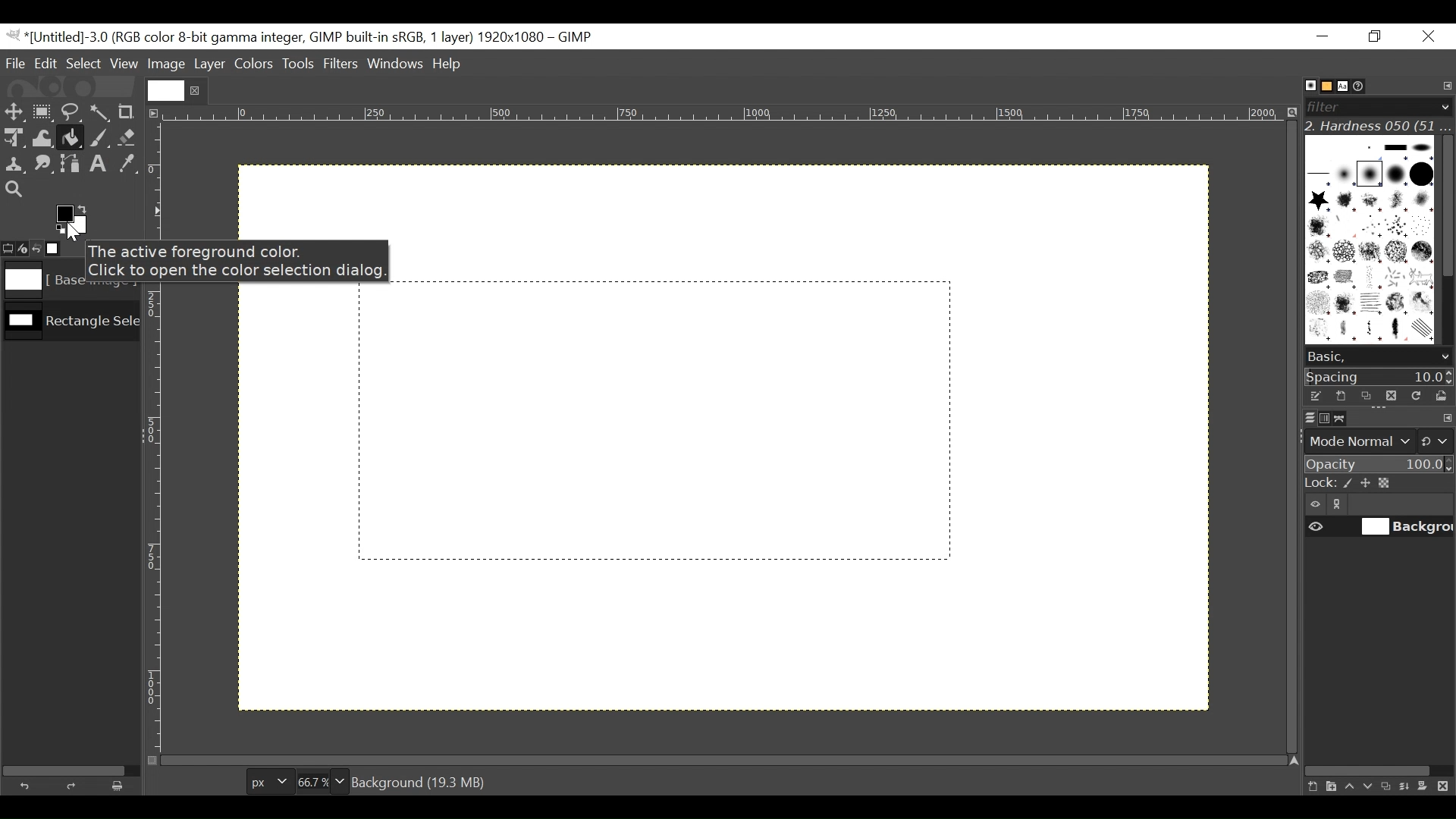 The image size is (1456, 819). What do you see at coordinates (1445, 204) in the screenshot?
I see `Vertical scroll bar` at bounding box center [1445, 204].